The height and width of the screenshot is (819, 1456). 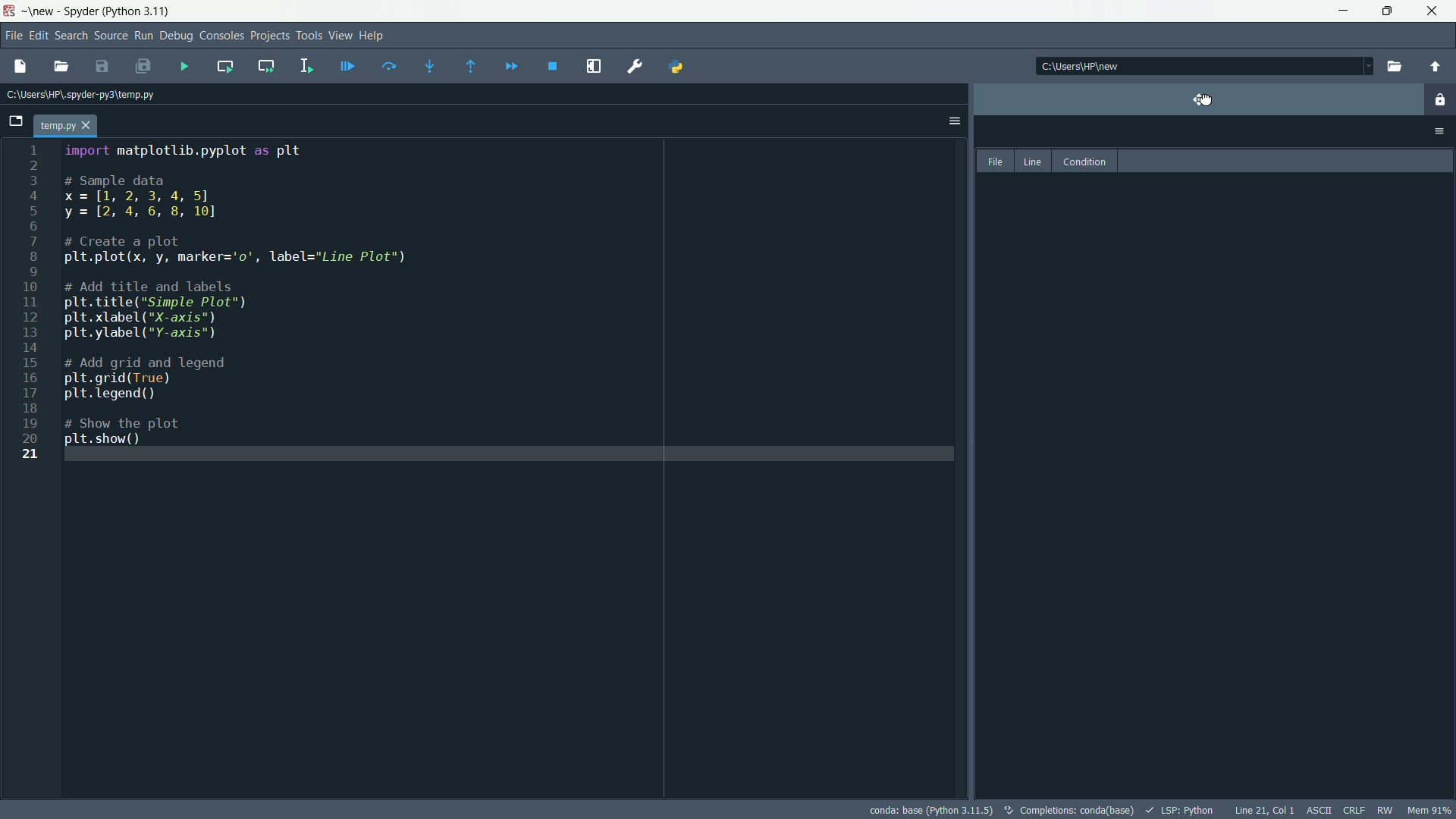 What do you see at coordinates (177, 36) in the screenshot?
I see `debug menu` at bounding box center [177, 36].